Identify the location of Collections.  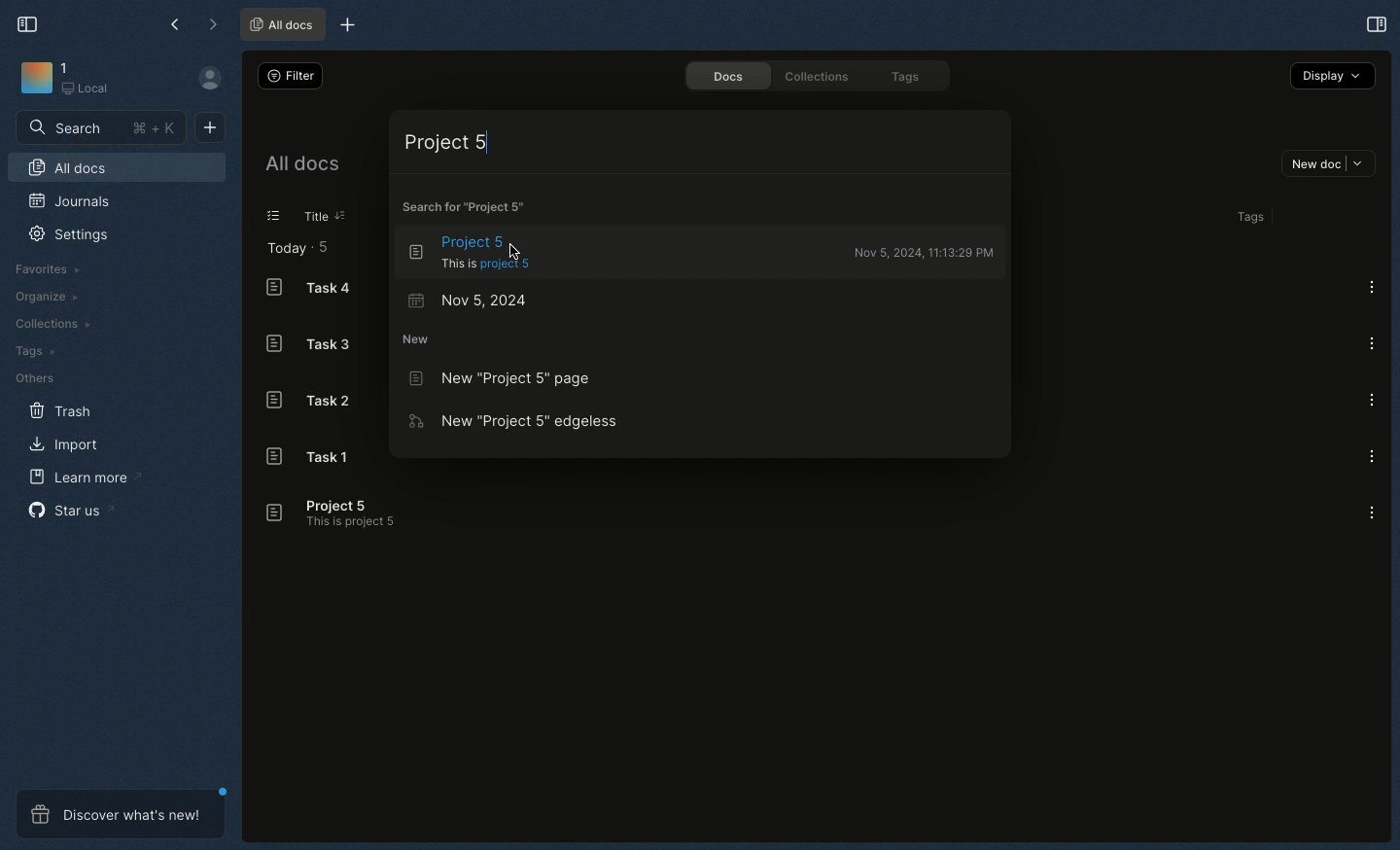
(821, 74).